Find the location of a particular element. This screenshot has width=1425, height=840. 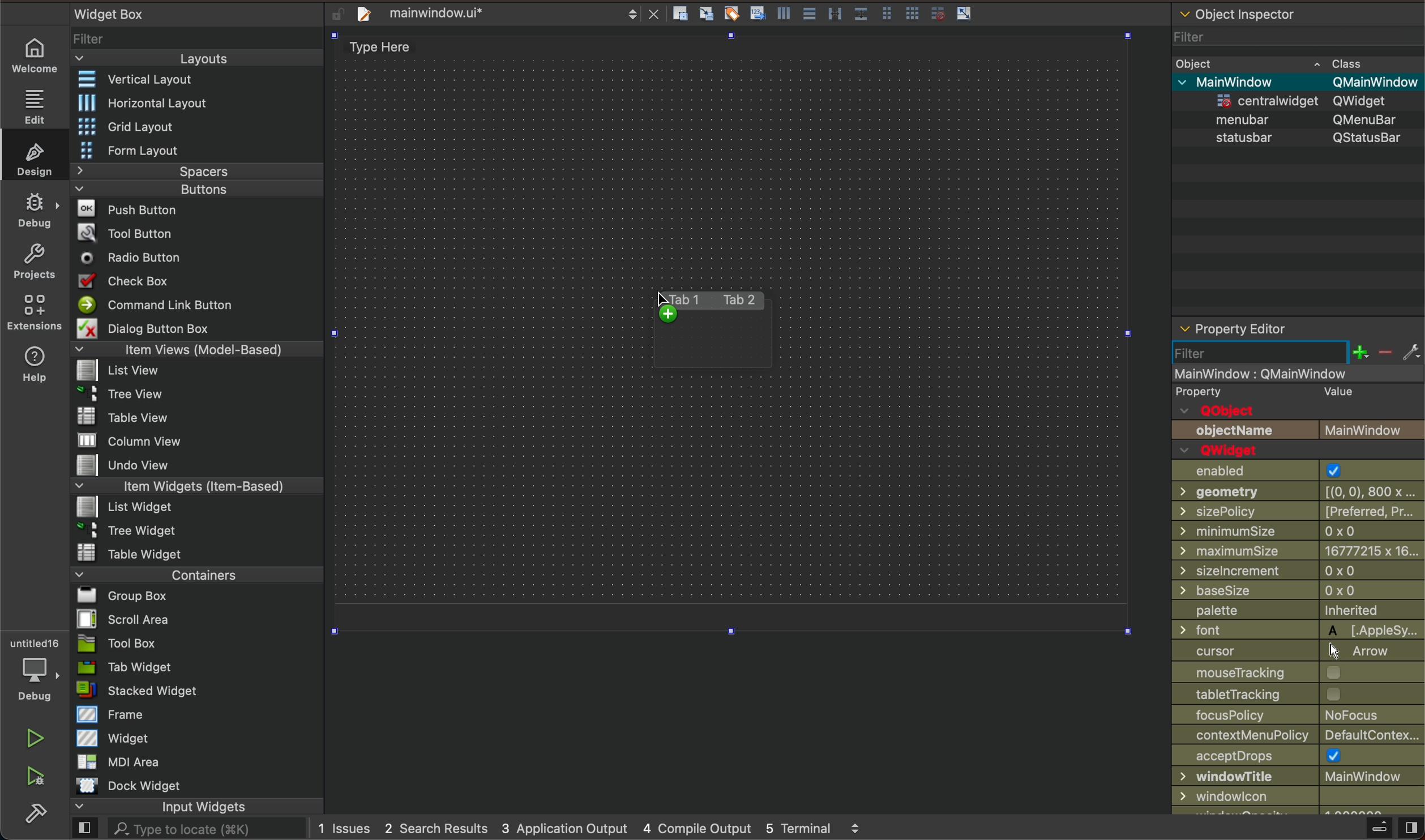

cursor is located at coordinates (1296, 652).